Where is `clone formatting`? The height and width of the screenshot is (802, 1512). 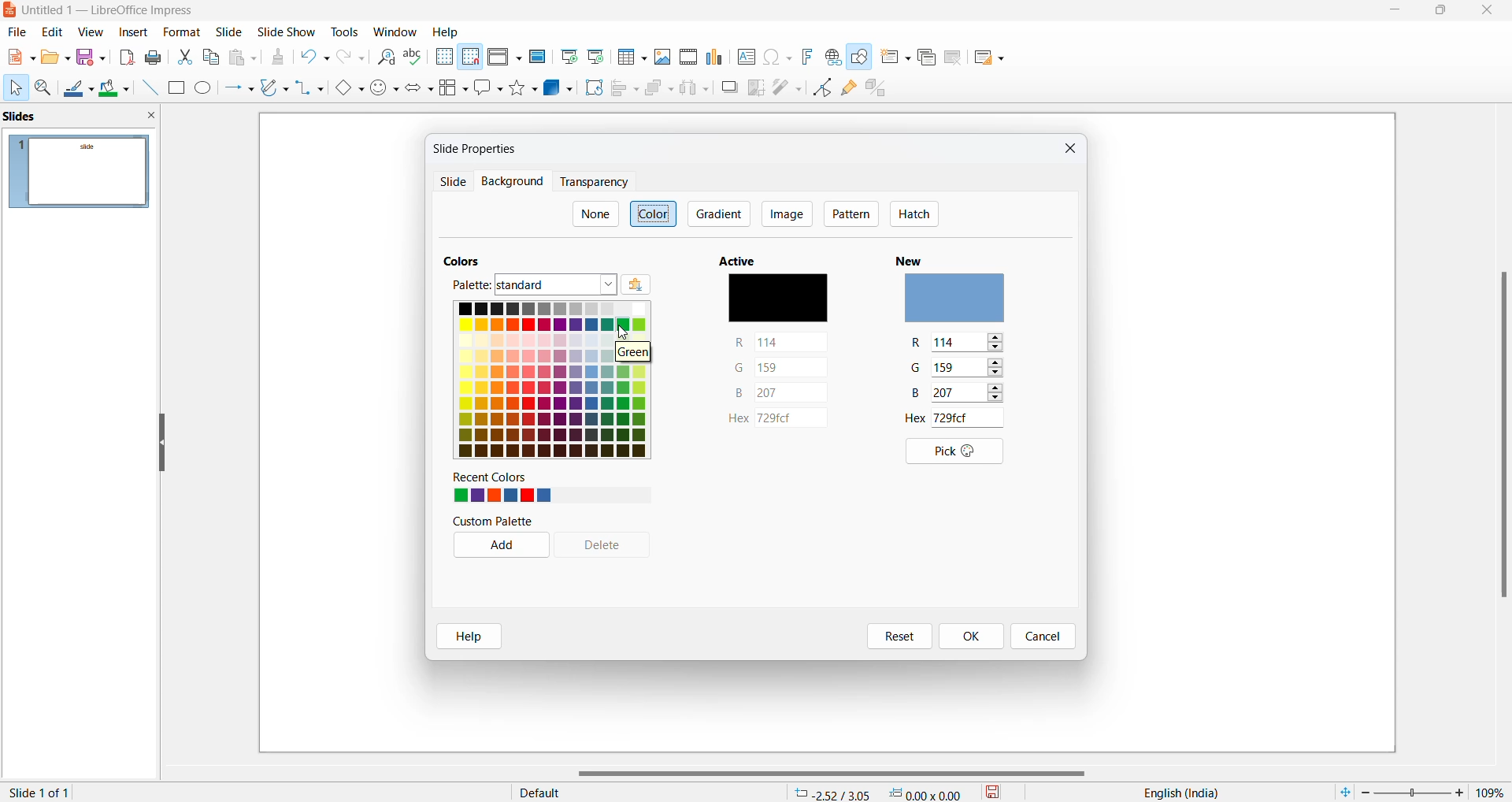 clone formatting is located at coordinates (277, 59).